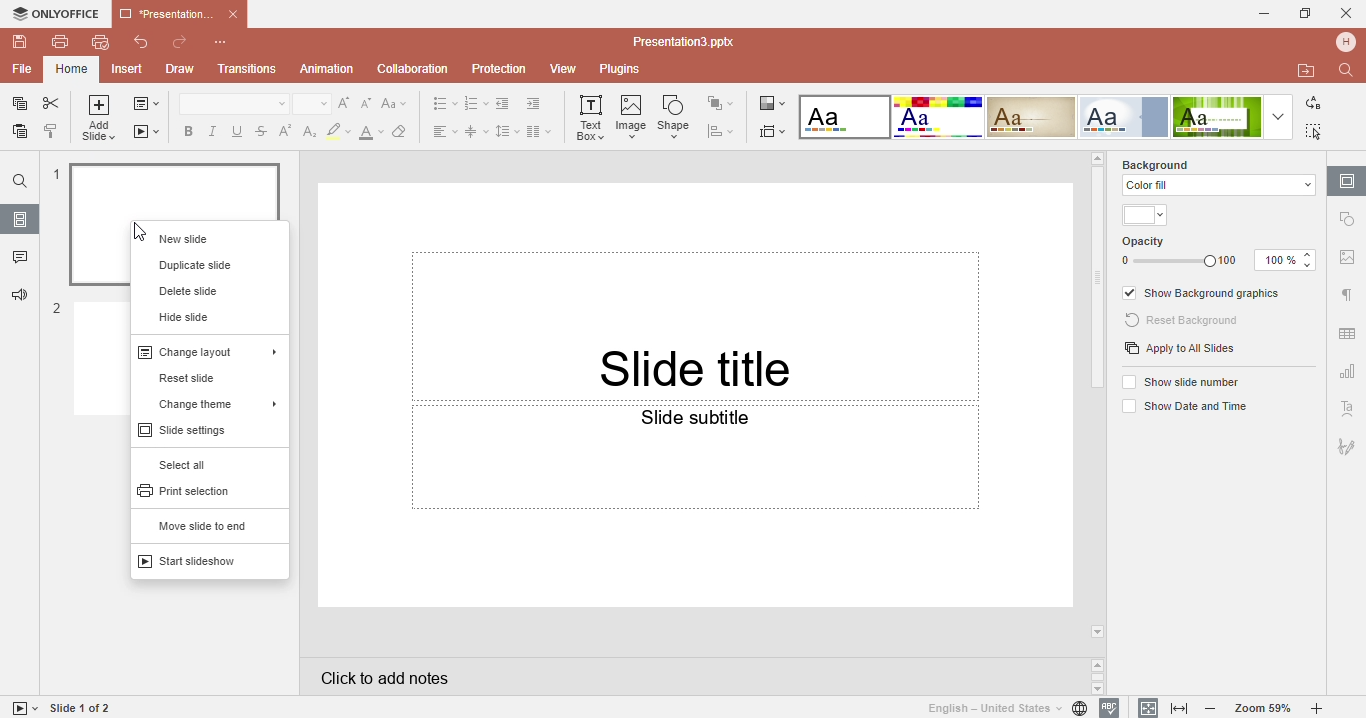 The image size is (1366, 718). What do you see at coordinates (191, 490) in the screenshot?
I see `Print selection` at bounding box center [191, 490].